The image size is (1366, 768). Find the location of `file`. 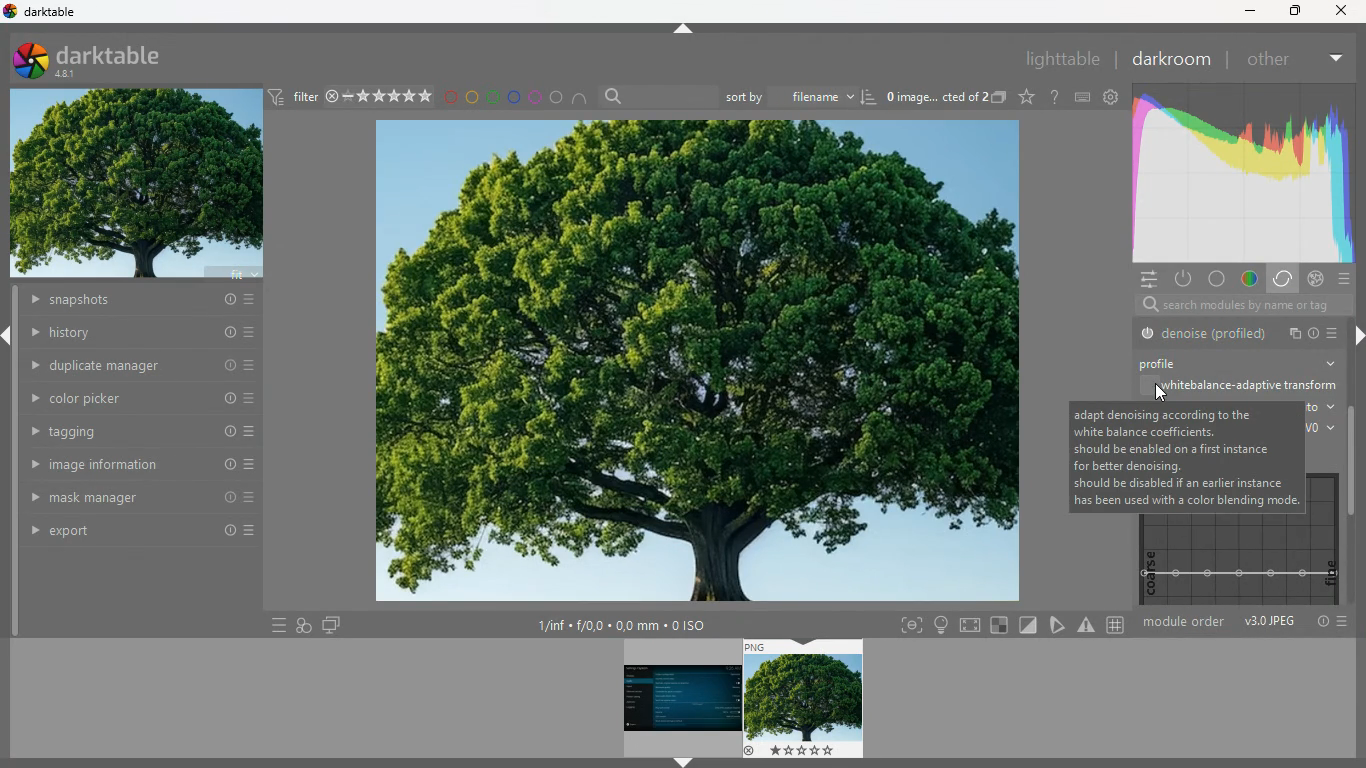

file is located at coordinates (1292, 334).